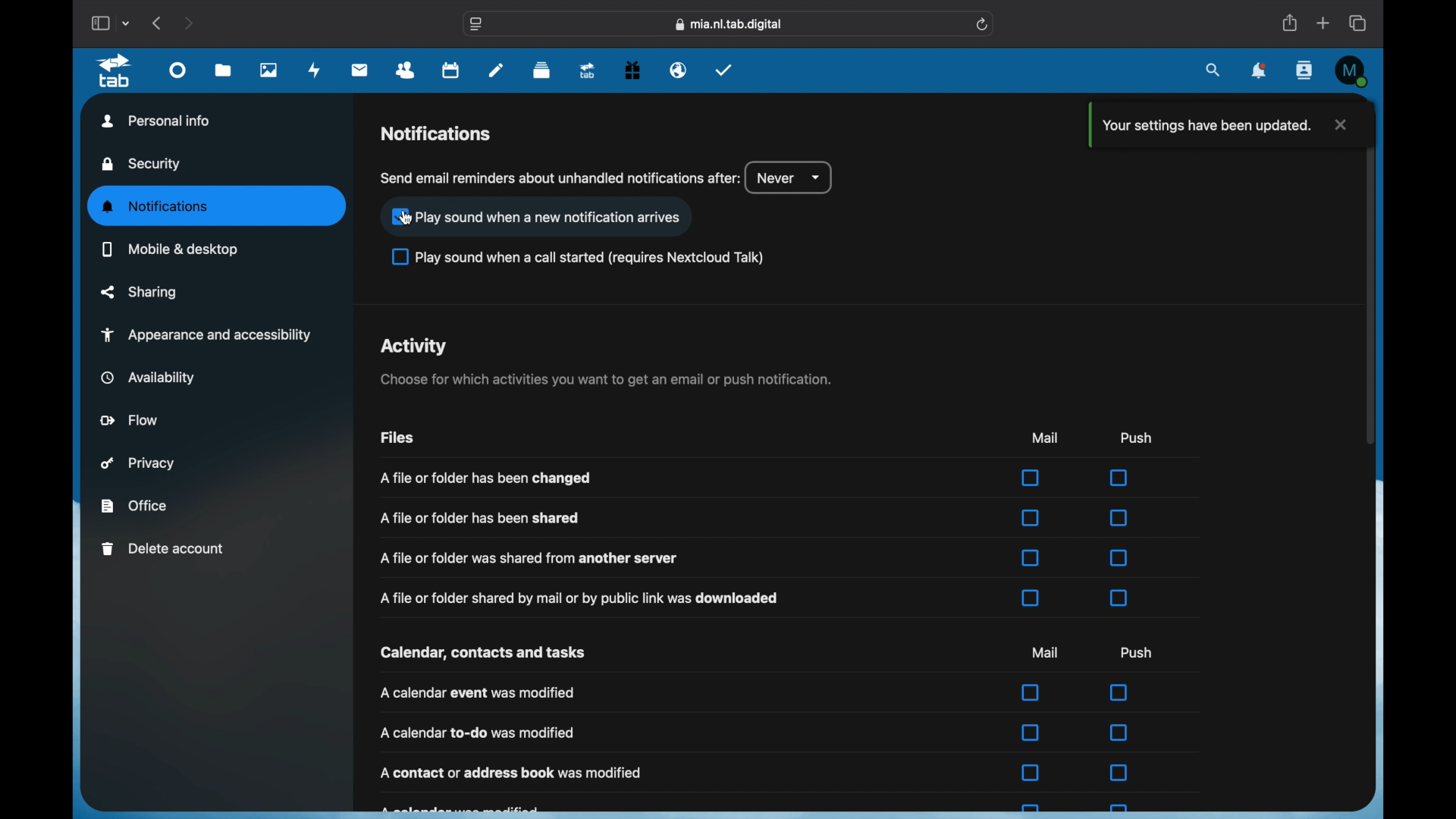  What do you see at coordinates (133, 506) in the screenshot?
I see `office` at bounding box center [133, 506].